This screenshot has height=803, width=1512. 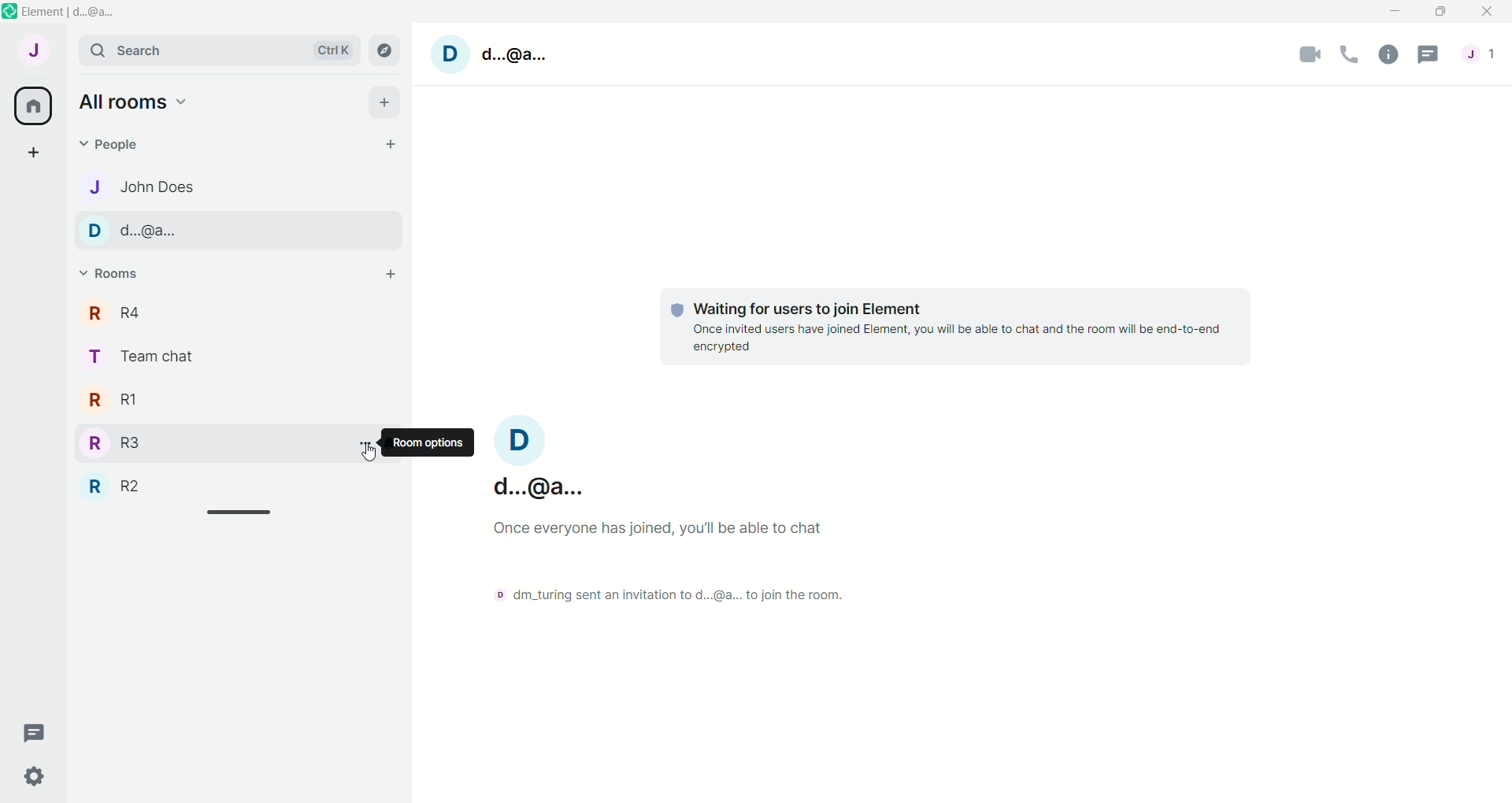 What do you see at coordinates (953, 326) in the screenshot?
I see `Waiting for users to join element` at bounding box center [953, 326].